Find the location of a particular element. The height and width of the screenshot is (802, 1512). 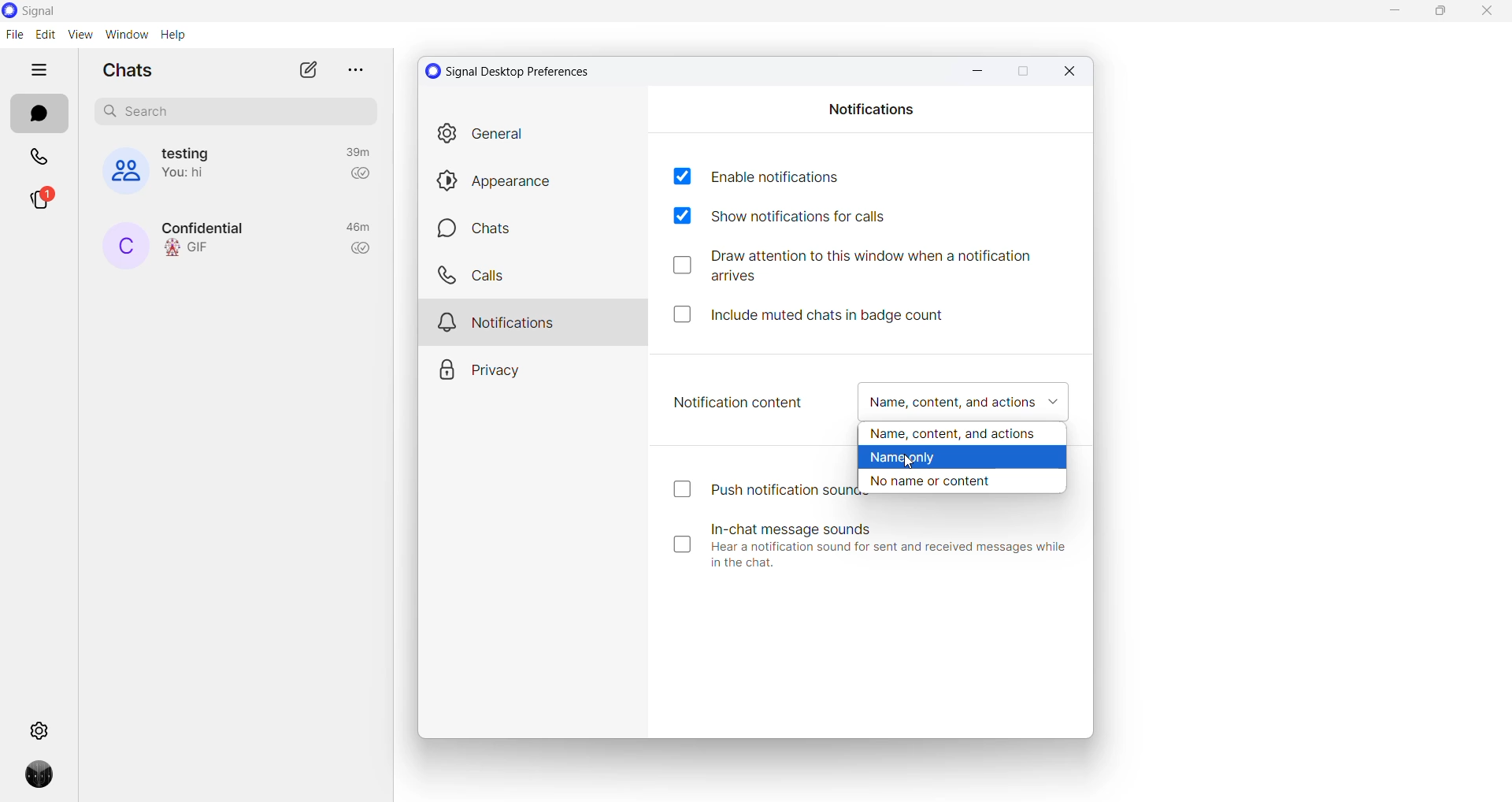

application name and logo is located at coordinates (57, 11).